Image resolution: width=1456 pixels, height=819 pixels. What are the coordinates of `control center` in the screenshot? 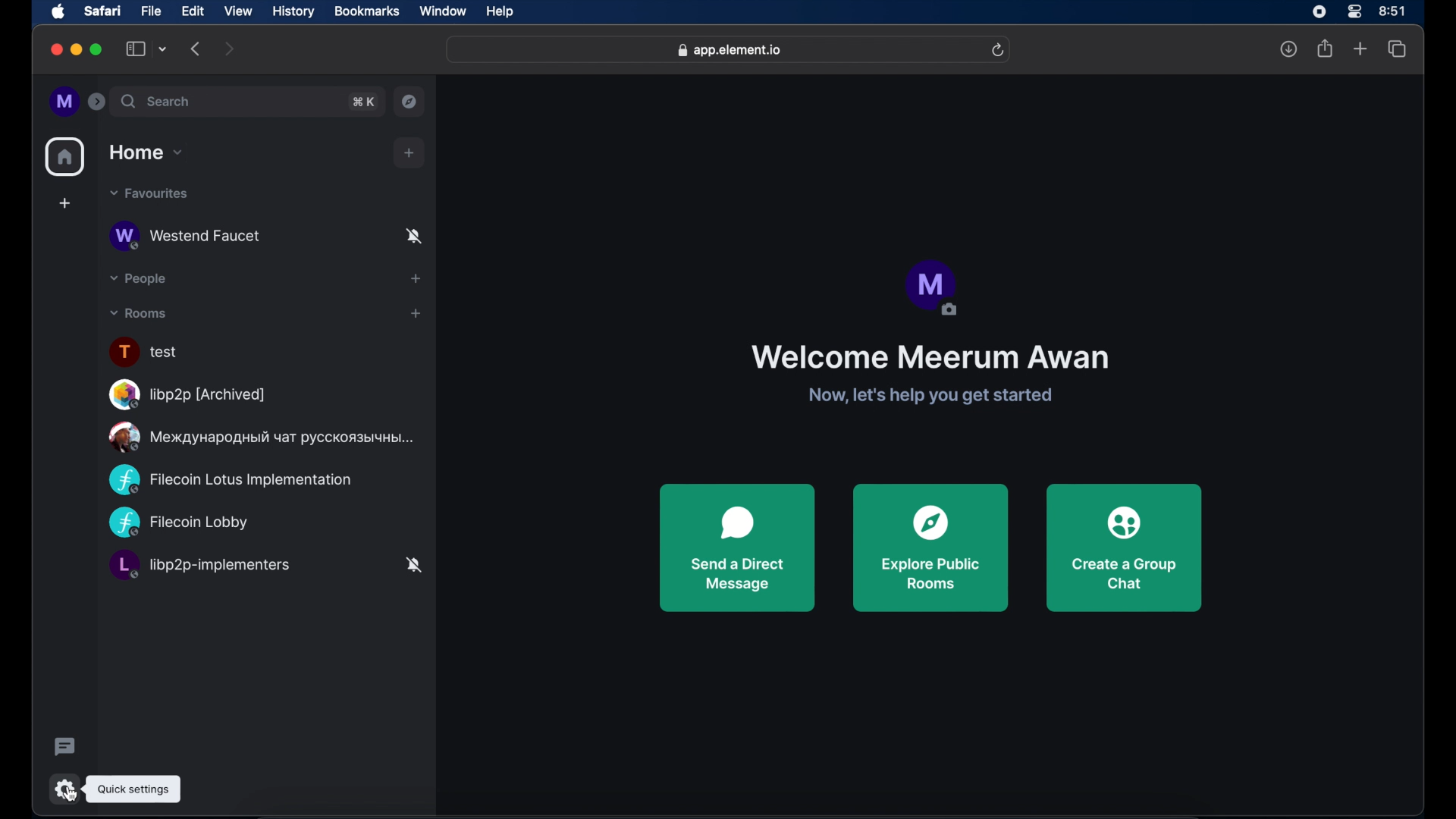 It's located at (1351, 11).